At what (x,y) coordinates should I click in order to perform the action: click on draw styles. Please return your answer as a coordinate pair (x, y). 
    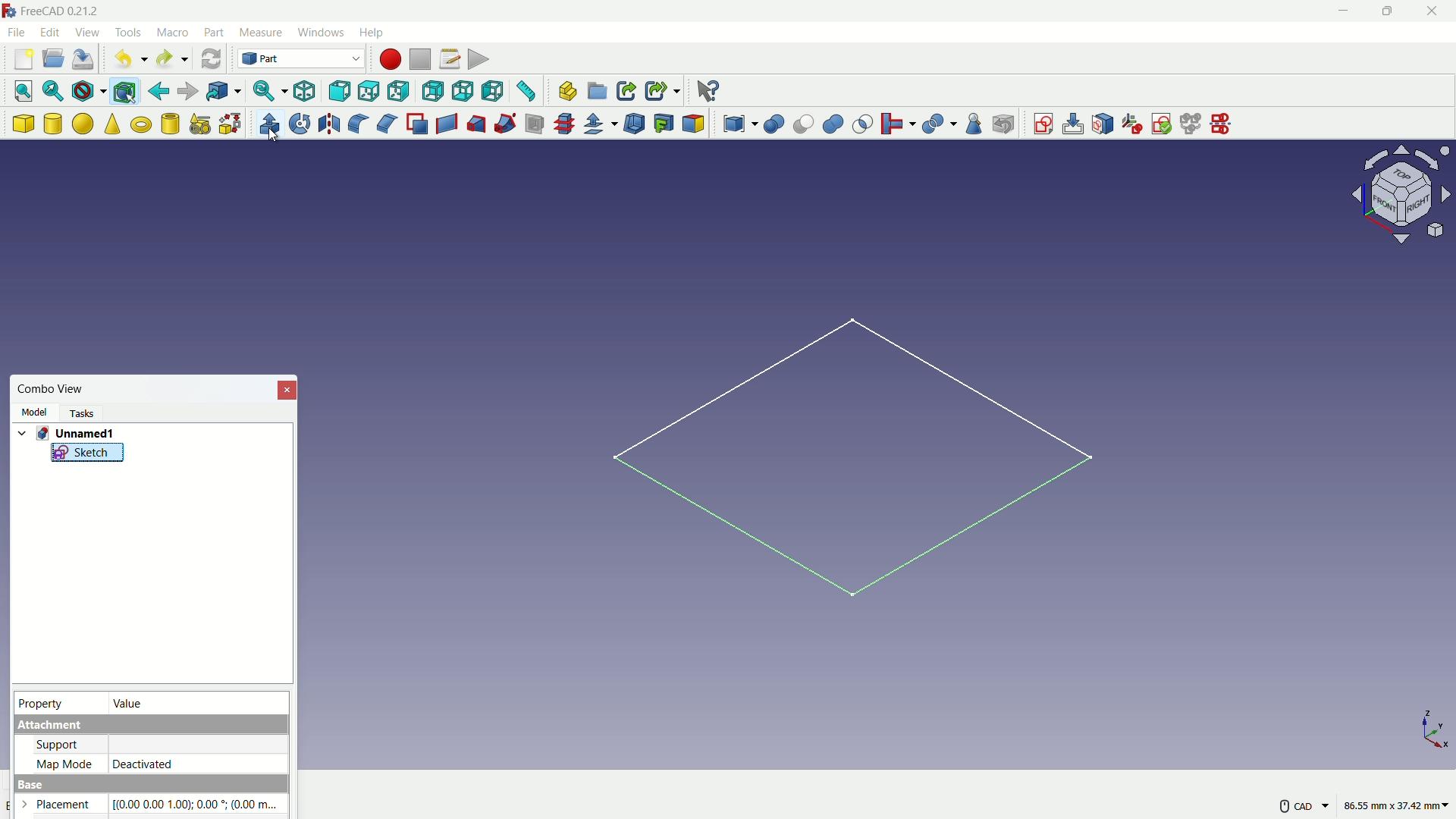
    Looking at the image, I should click on (90, 92).